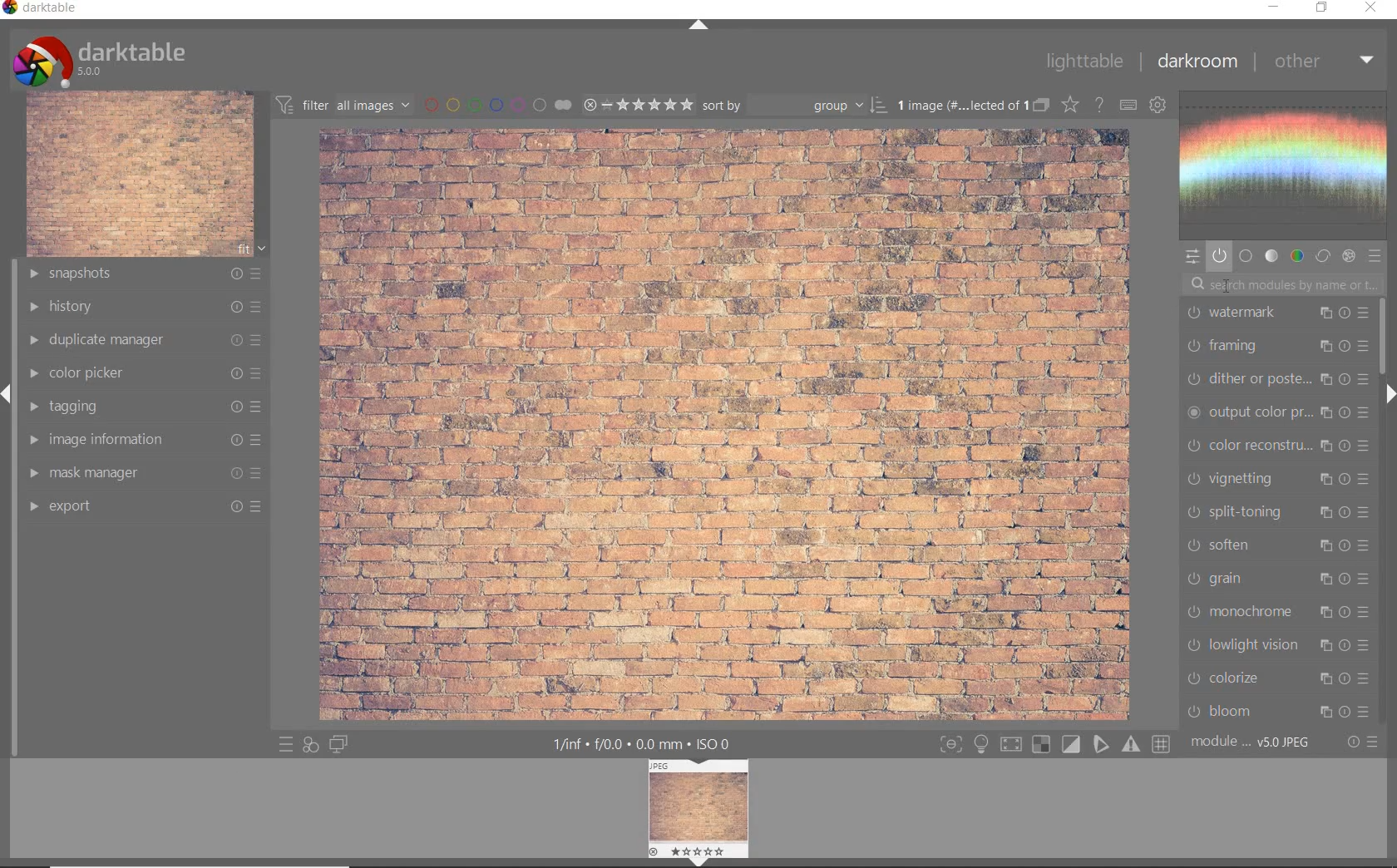  I want to click on selected image range rating, so click(638, 105).